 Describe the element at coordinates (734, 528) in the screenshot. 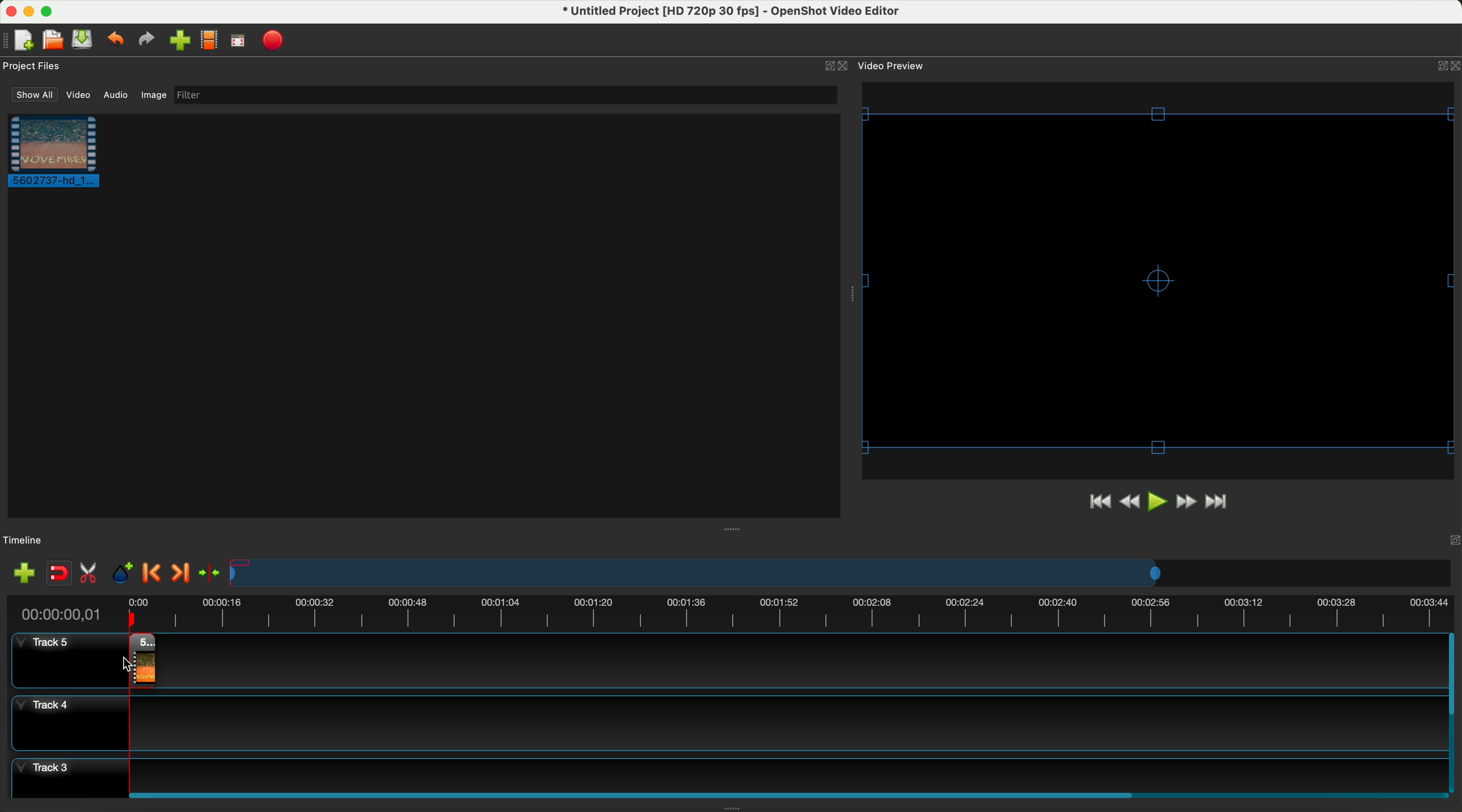

I see `` at that location.